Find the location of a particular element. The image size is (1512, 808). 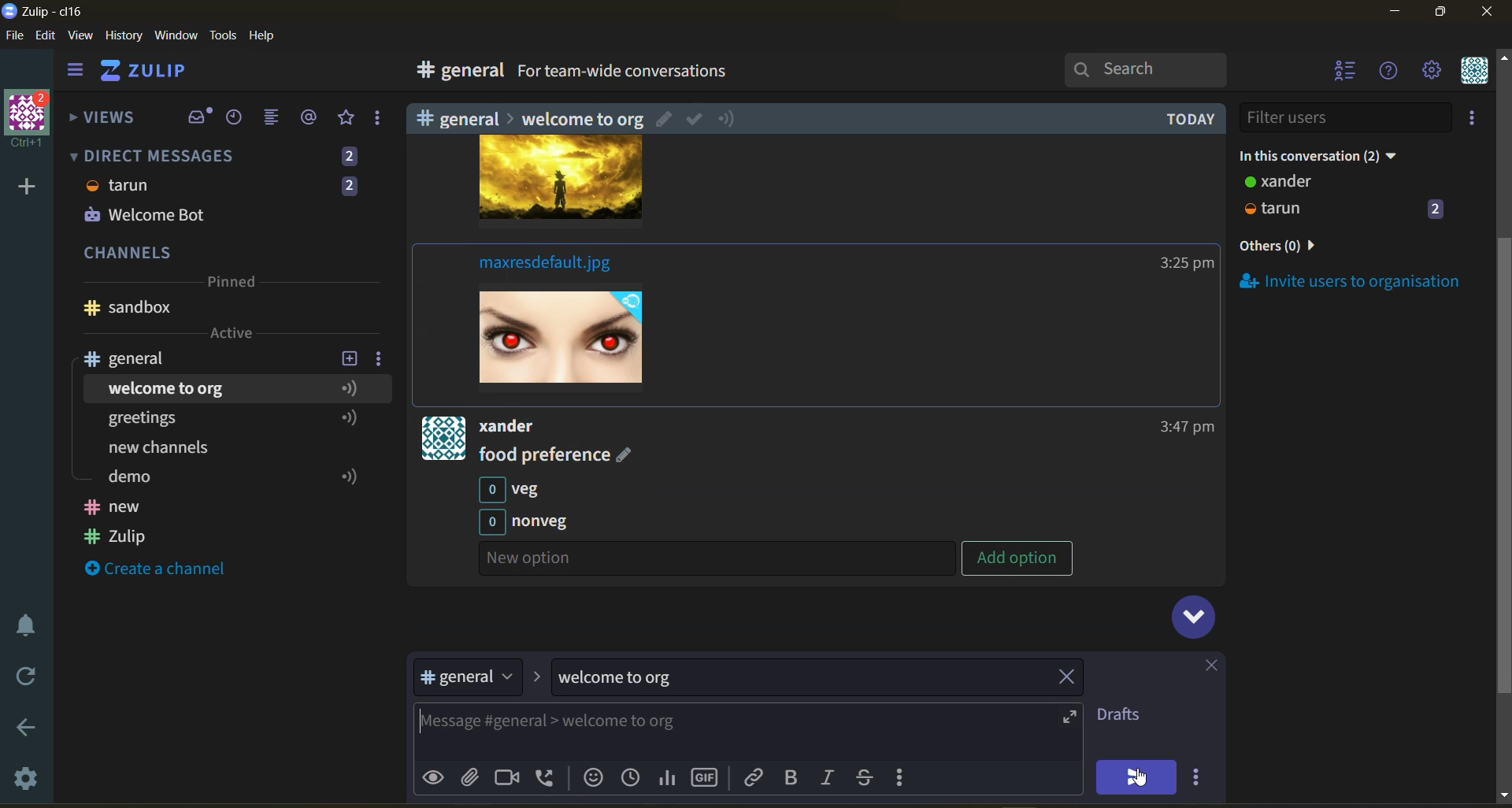

combined feed is located at coordinates (278, 120).